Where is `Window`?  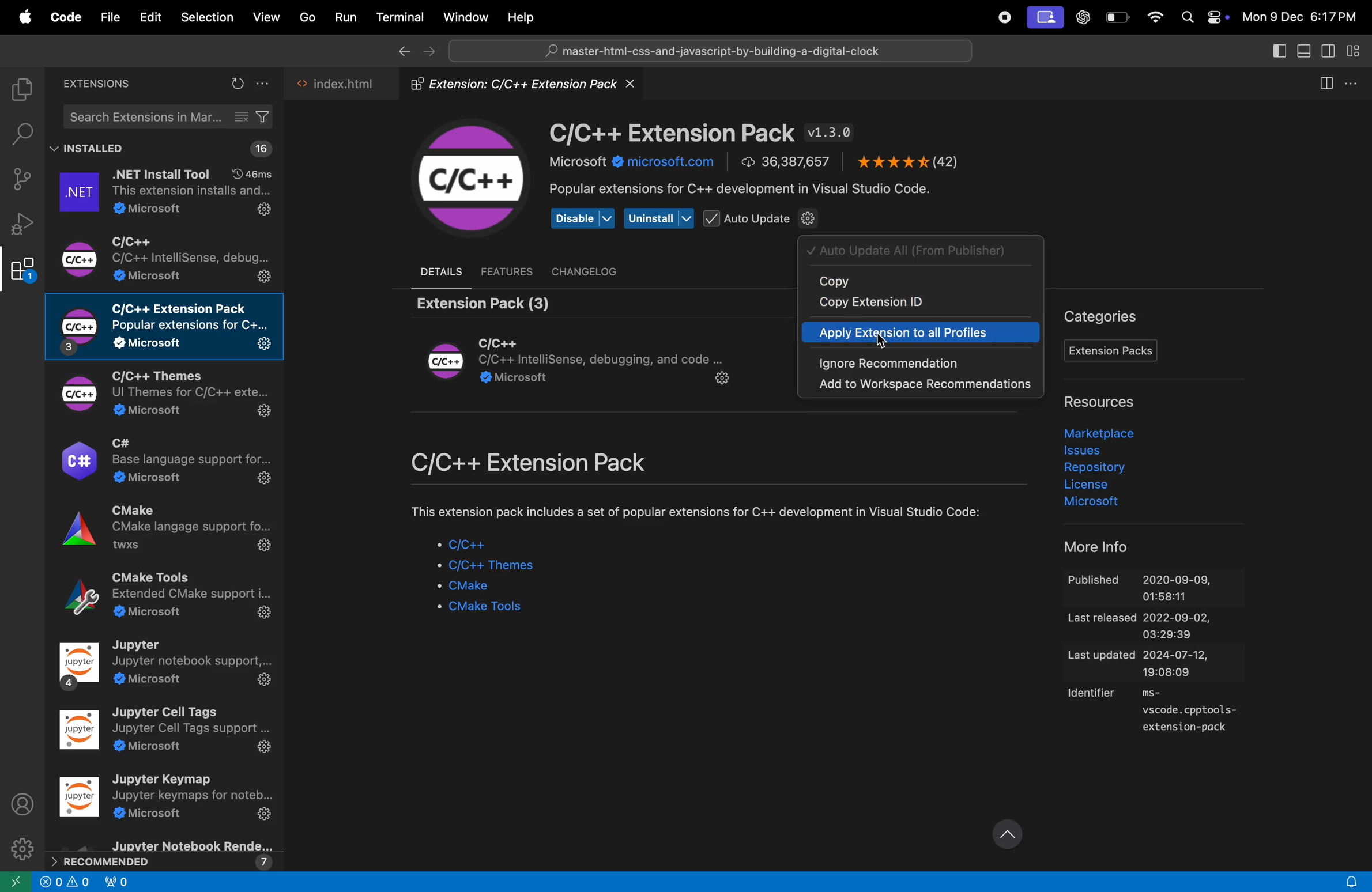
Window is located at coordinates (463, 16).